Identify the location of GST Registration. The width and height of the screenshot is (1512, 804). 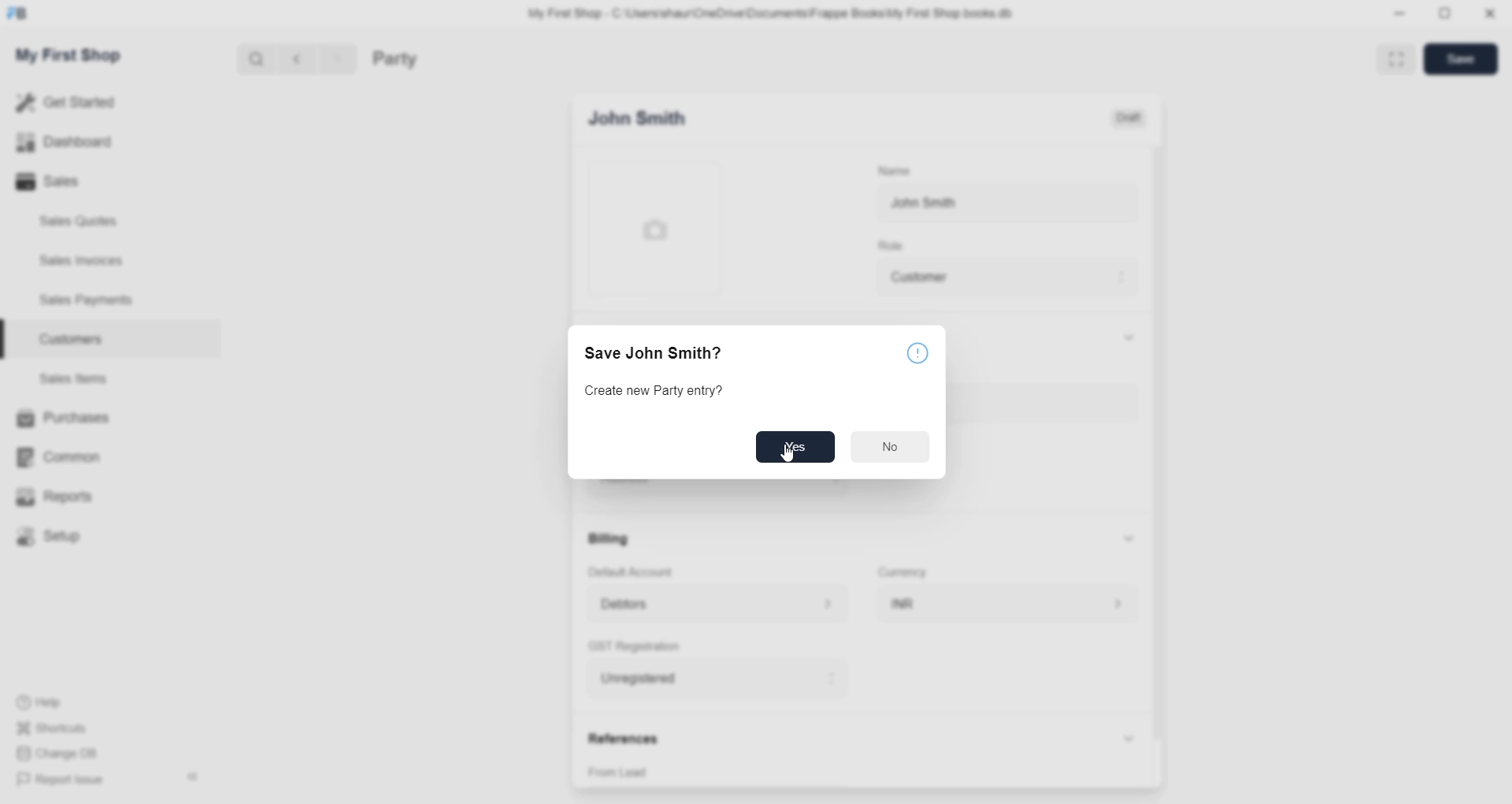
(636, 646).